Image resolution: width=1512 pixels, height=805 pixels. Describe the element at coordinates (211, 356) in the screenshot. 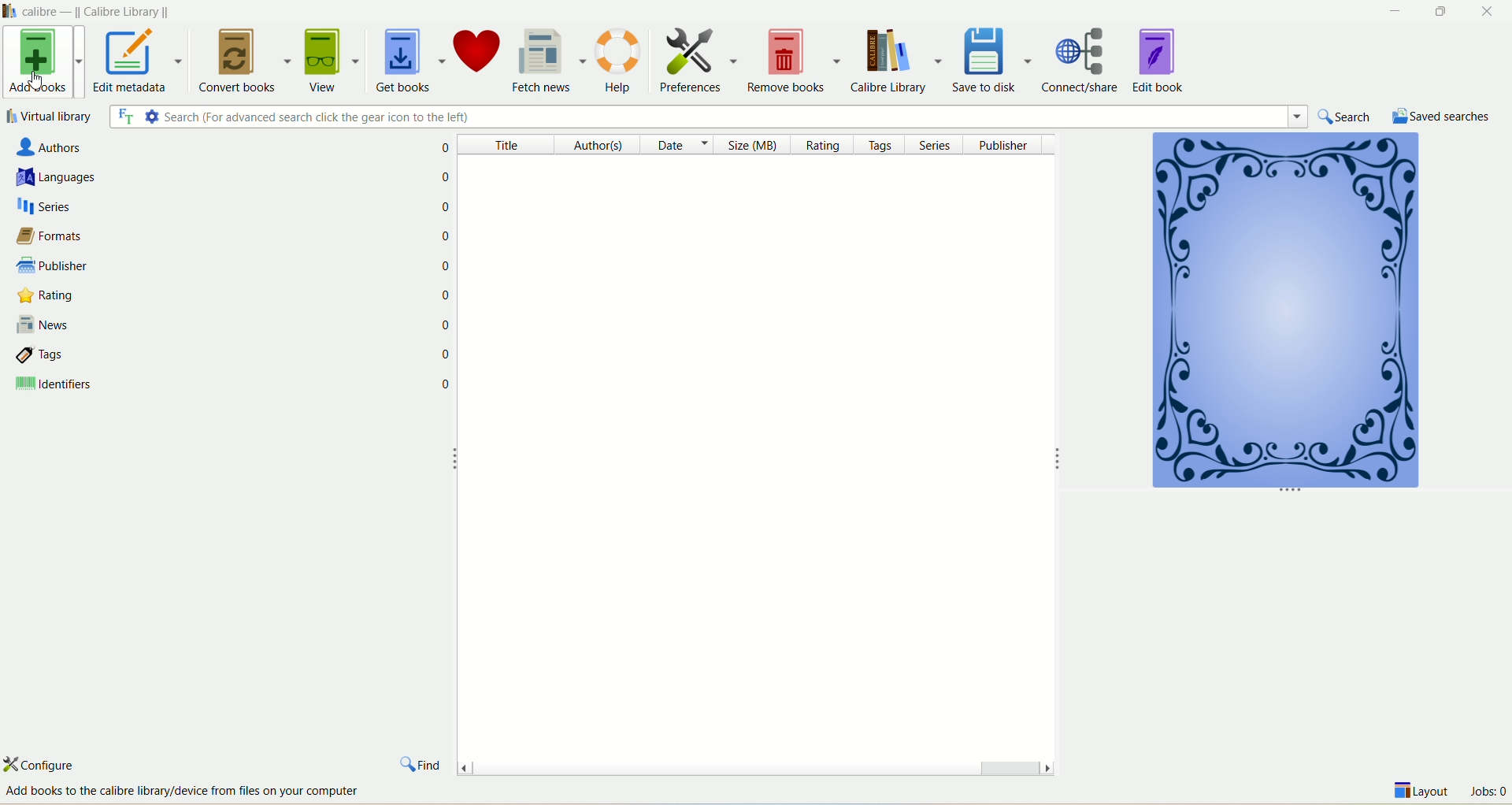

I see `tags` at that location.